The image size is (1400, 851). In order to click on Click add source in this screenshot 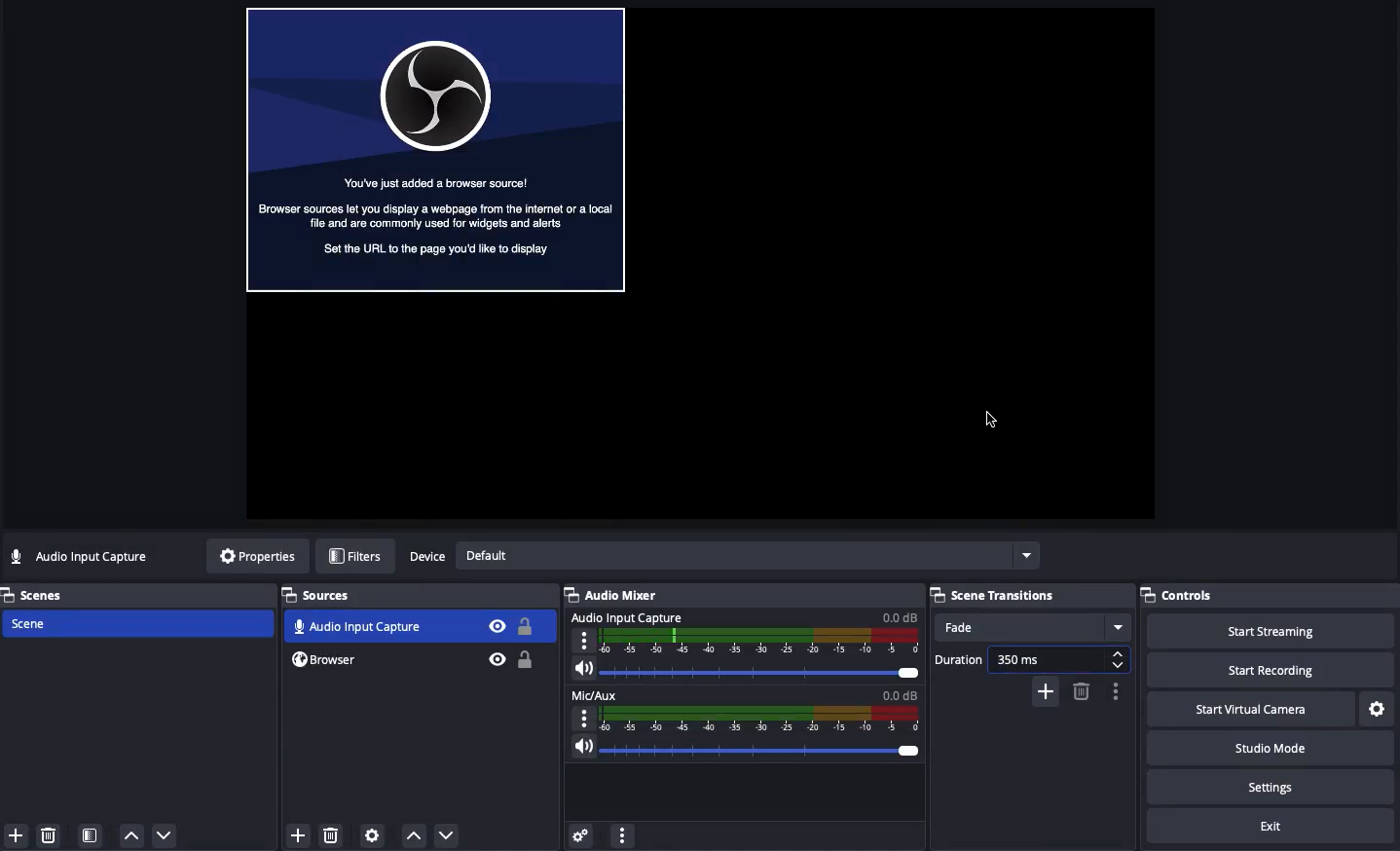, I will do `click(301, 834)`.